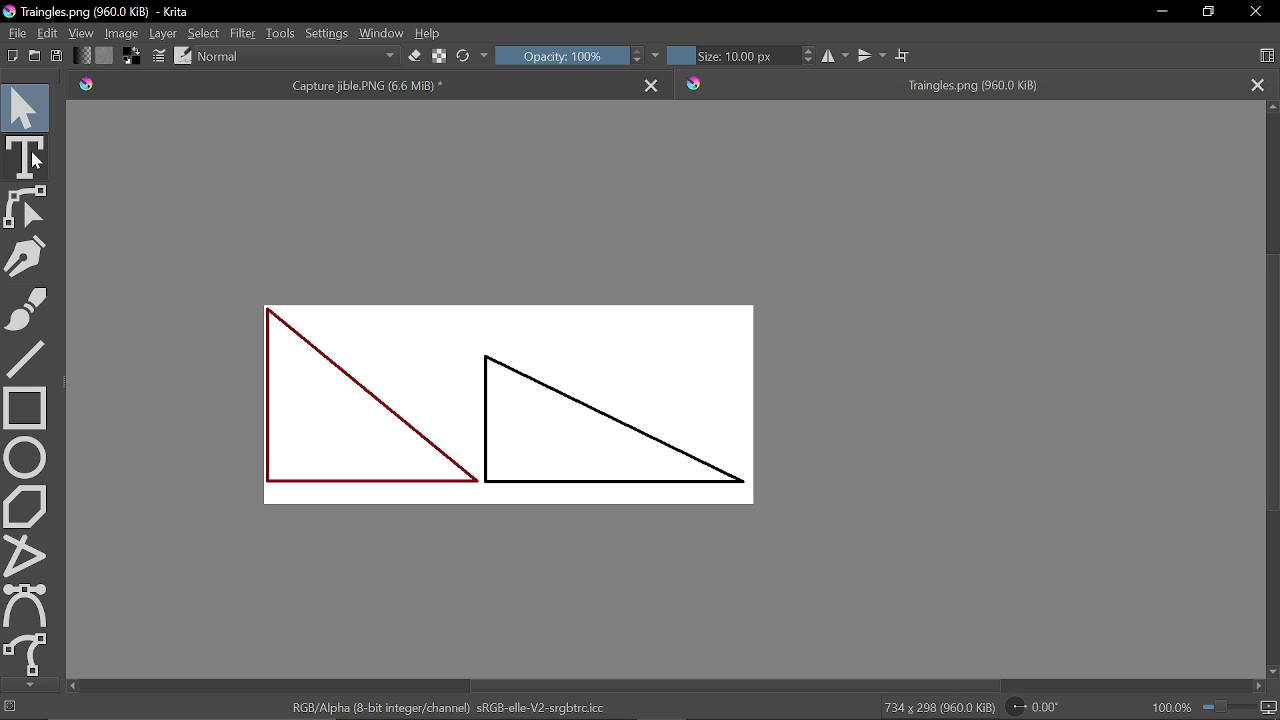  Describe the element at coordinates (509, 405) in the screenshot. I see `shapes` at that location.